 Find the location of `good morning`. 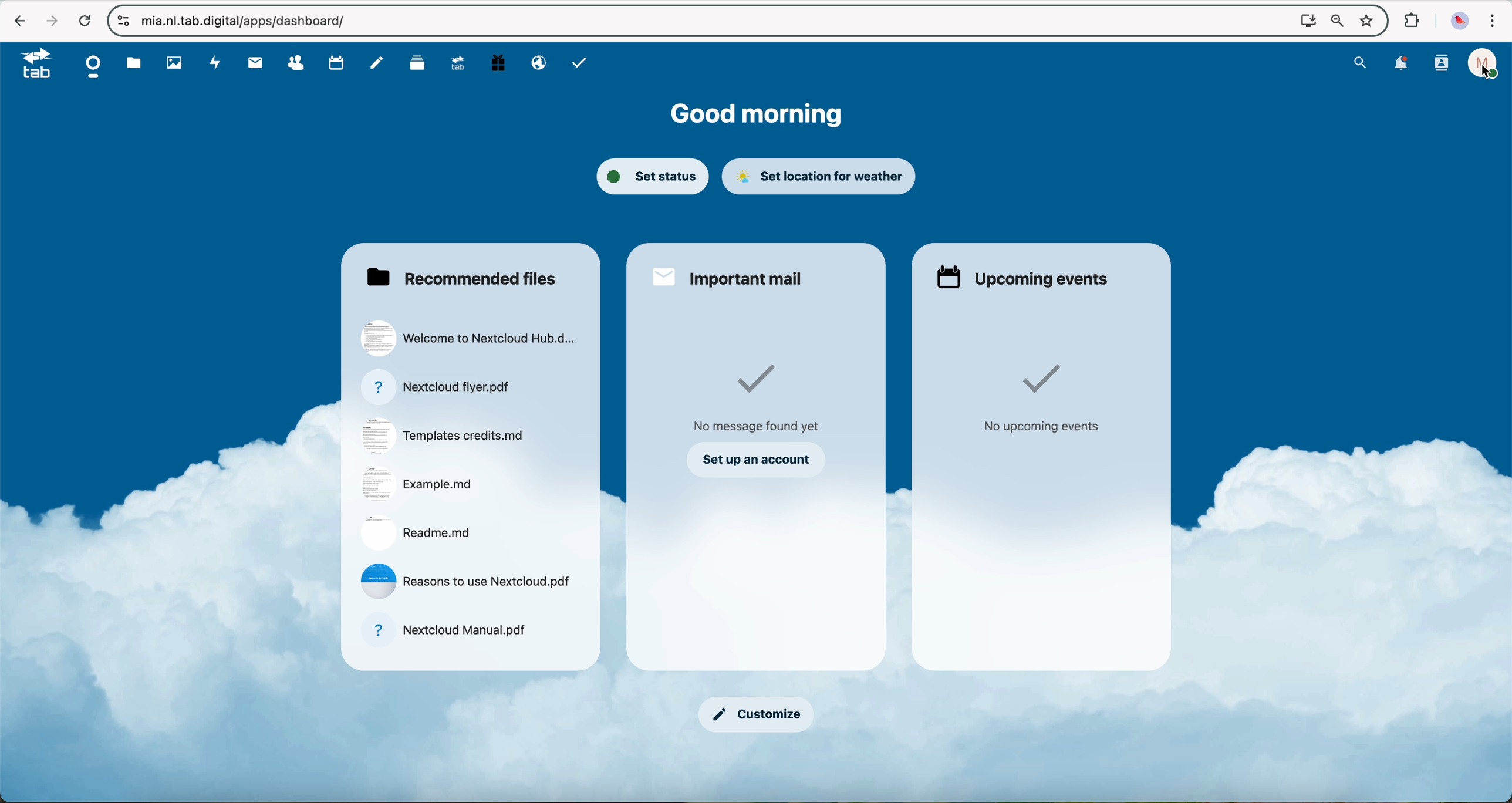

good morning is located at coordinates (761, 113).